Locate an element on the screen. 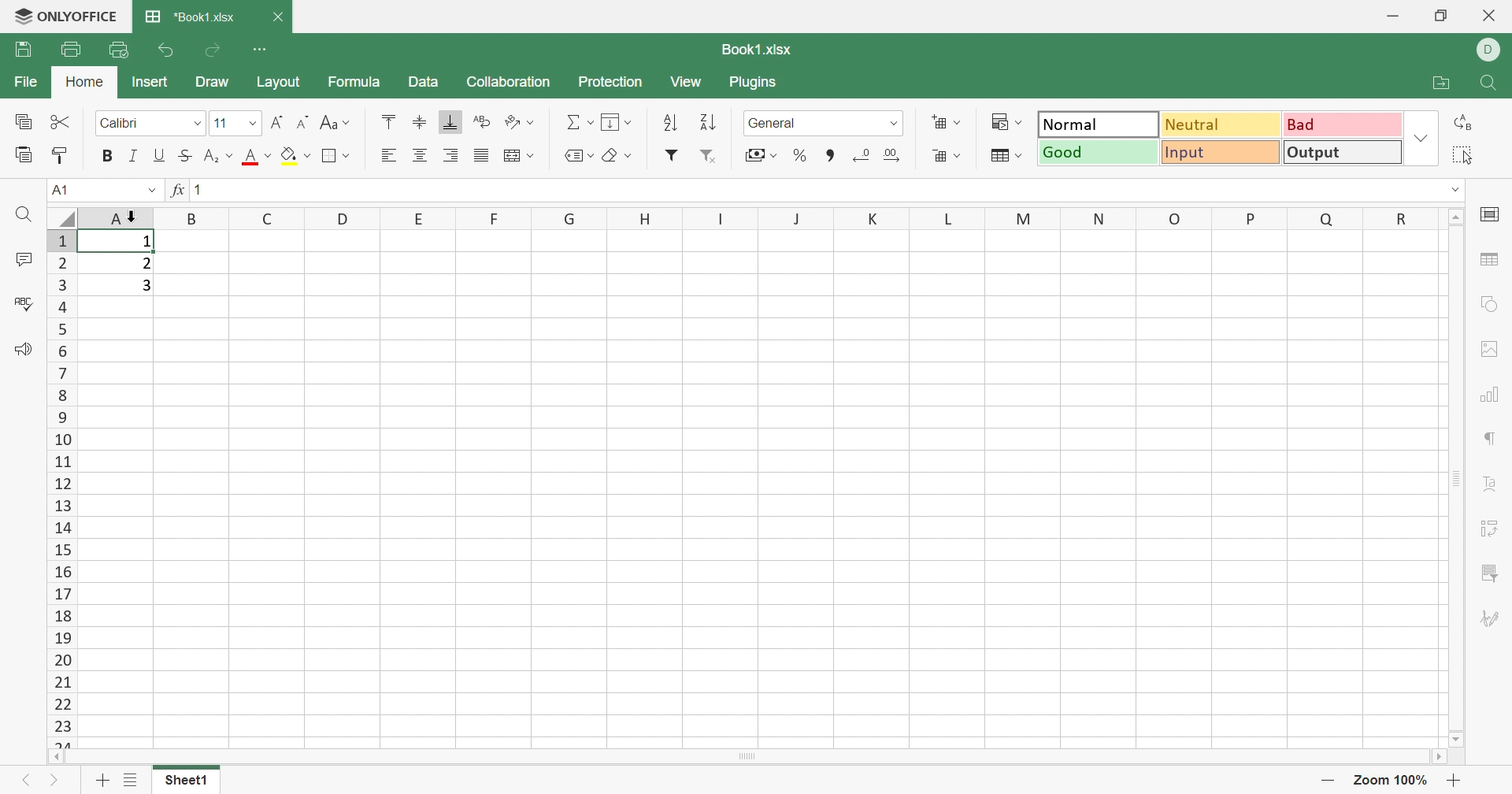 The height and width of the screenshot is (794, 1512). Good is located at coordinates (1099, 151).